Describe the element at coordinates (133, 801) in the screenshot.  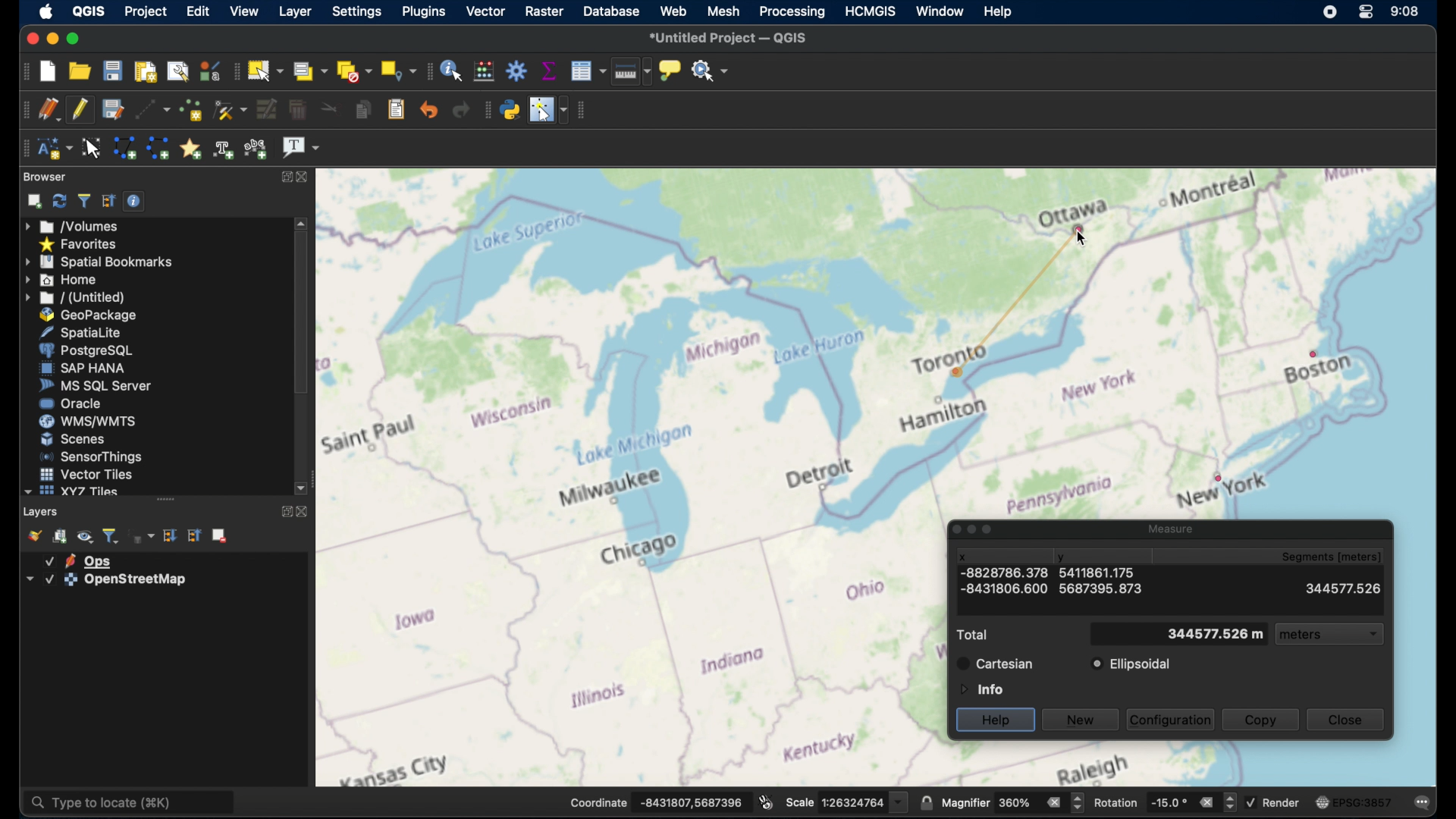
I see `type to locate` at that location.